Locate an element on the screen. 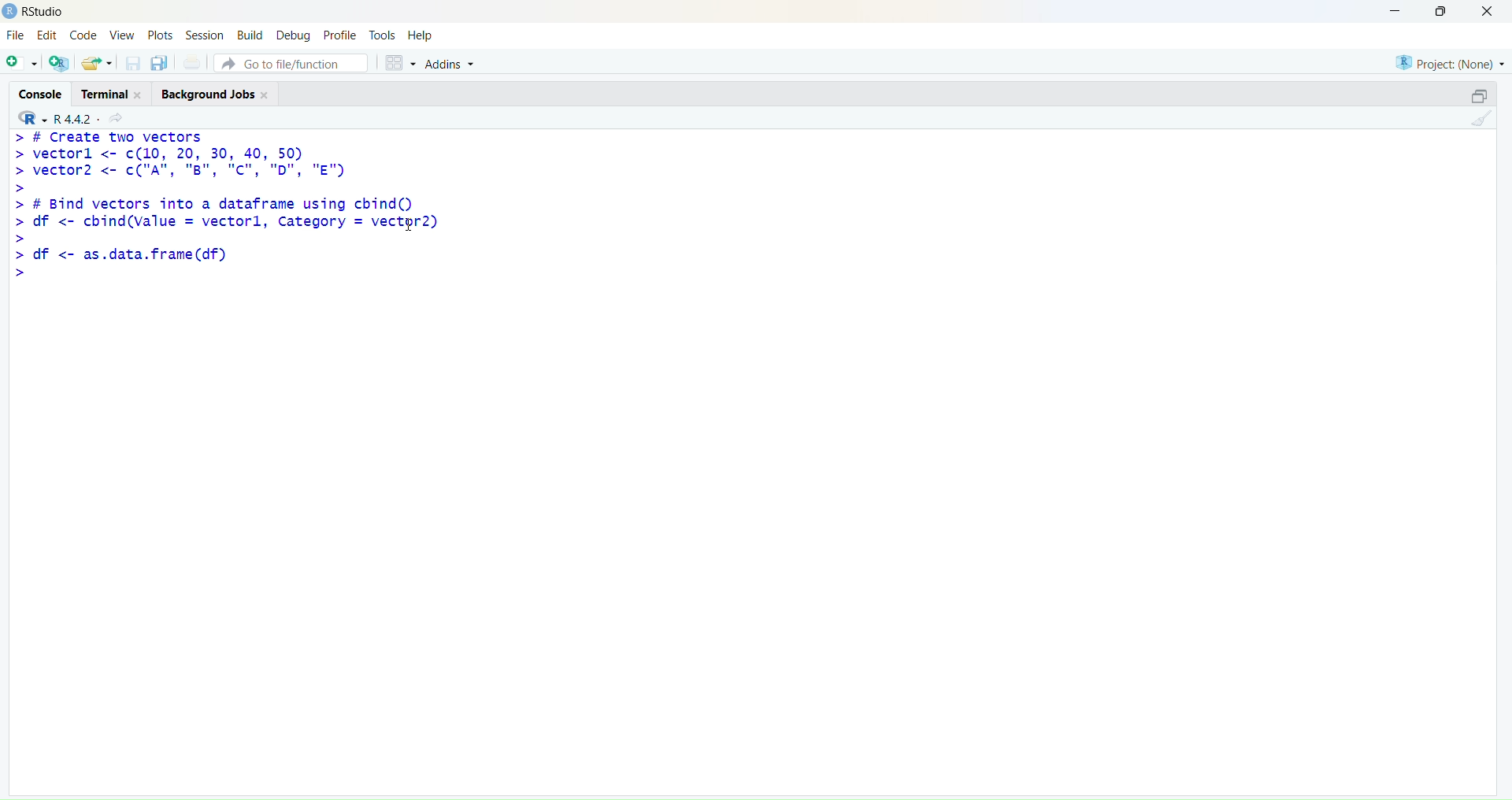 This screenshot has width=1512, height=800. View is located at coordinates (121, 35).